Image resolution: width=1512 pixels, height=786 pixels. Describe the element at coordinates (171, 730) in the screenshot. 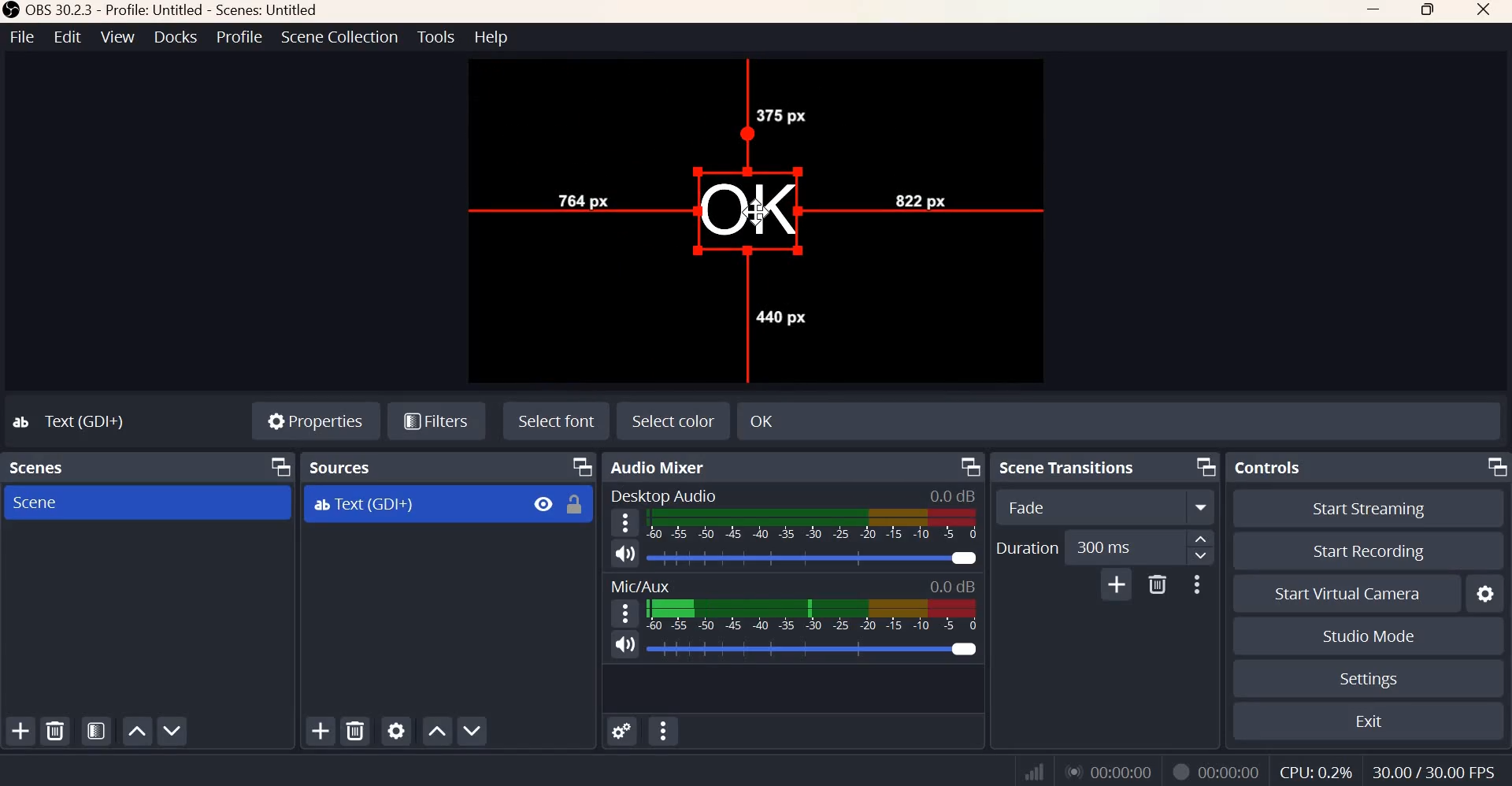

I see `Move scene down` at that location.